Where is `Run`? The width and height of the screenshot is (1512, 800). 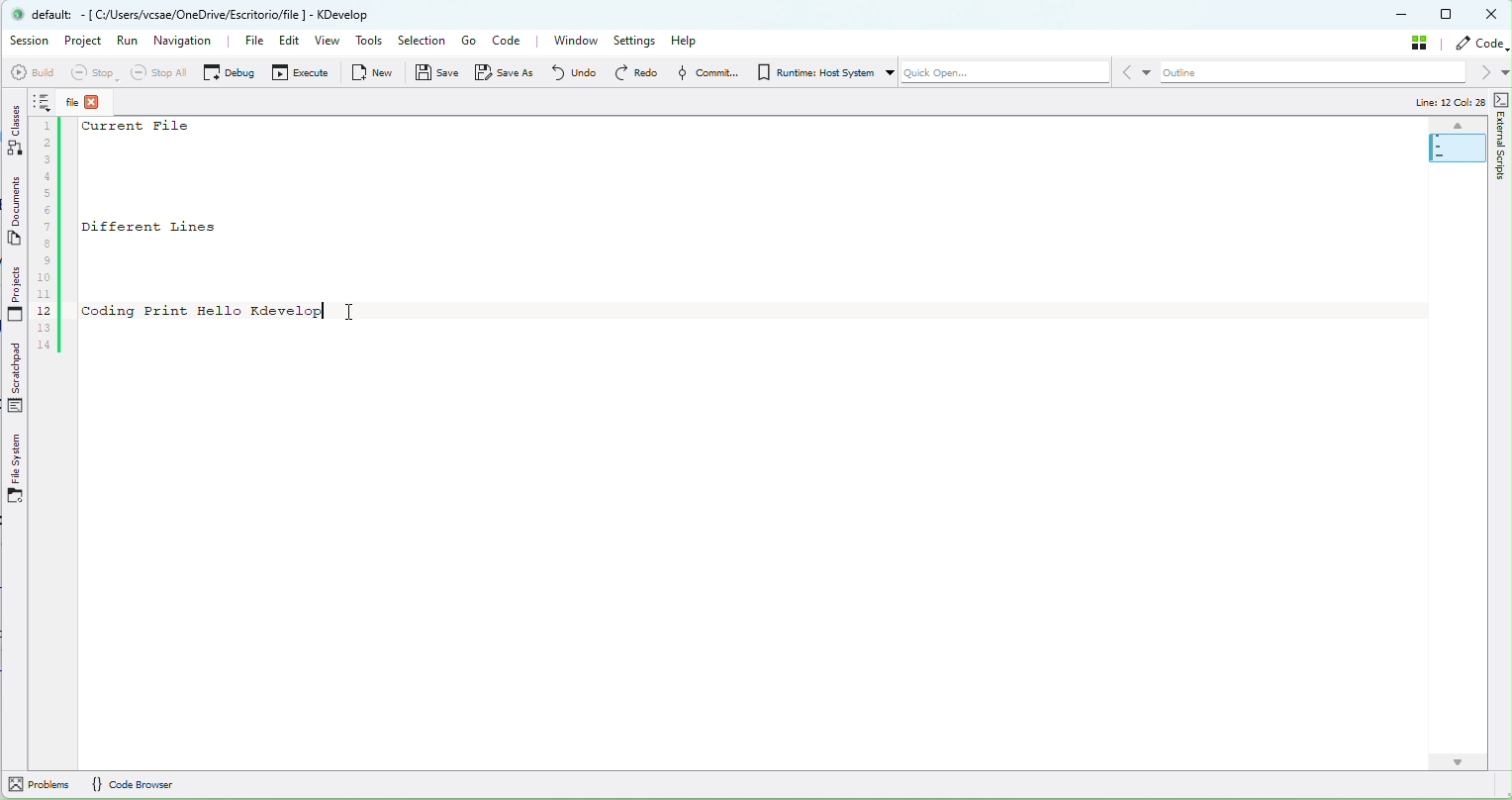 Run is located at coordinates (128, 46).